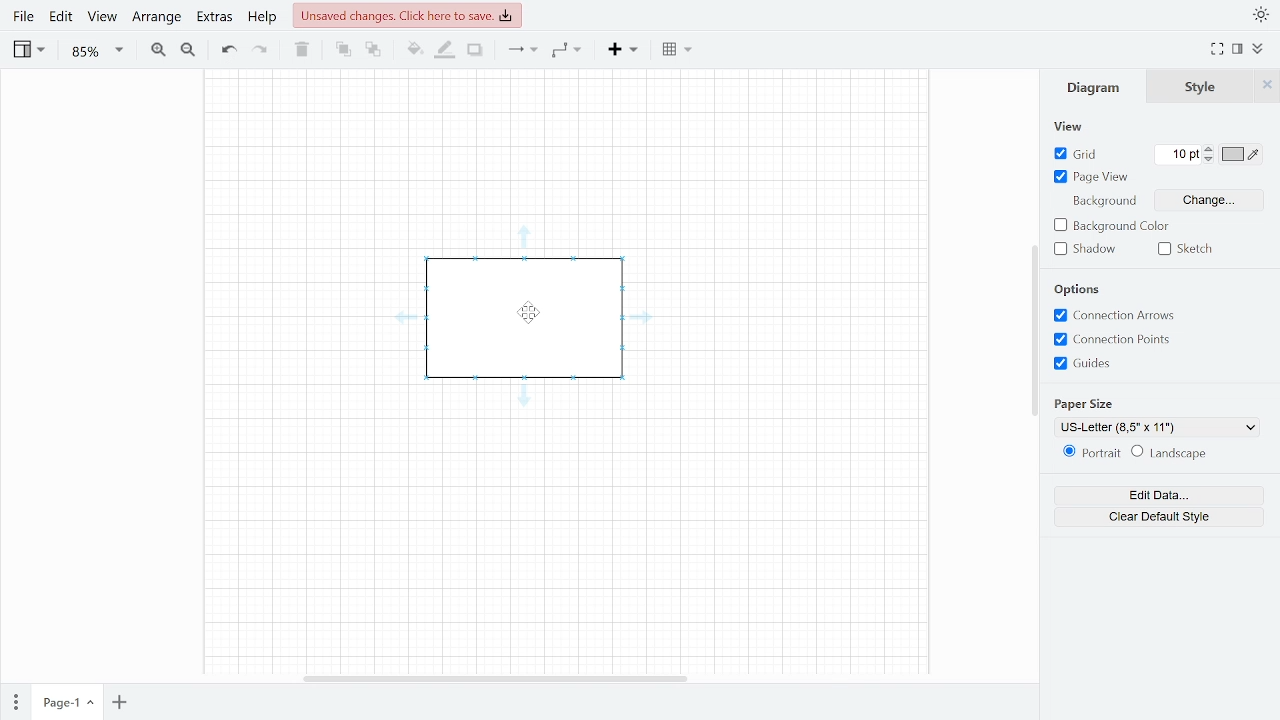 Image resolution: width=1280 pixels, height=720 pixels. What do you see at coordinates (1090, 453) in the screenshot?
I see `Potrait` at bounding box center [1090, 453].